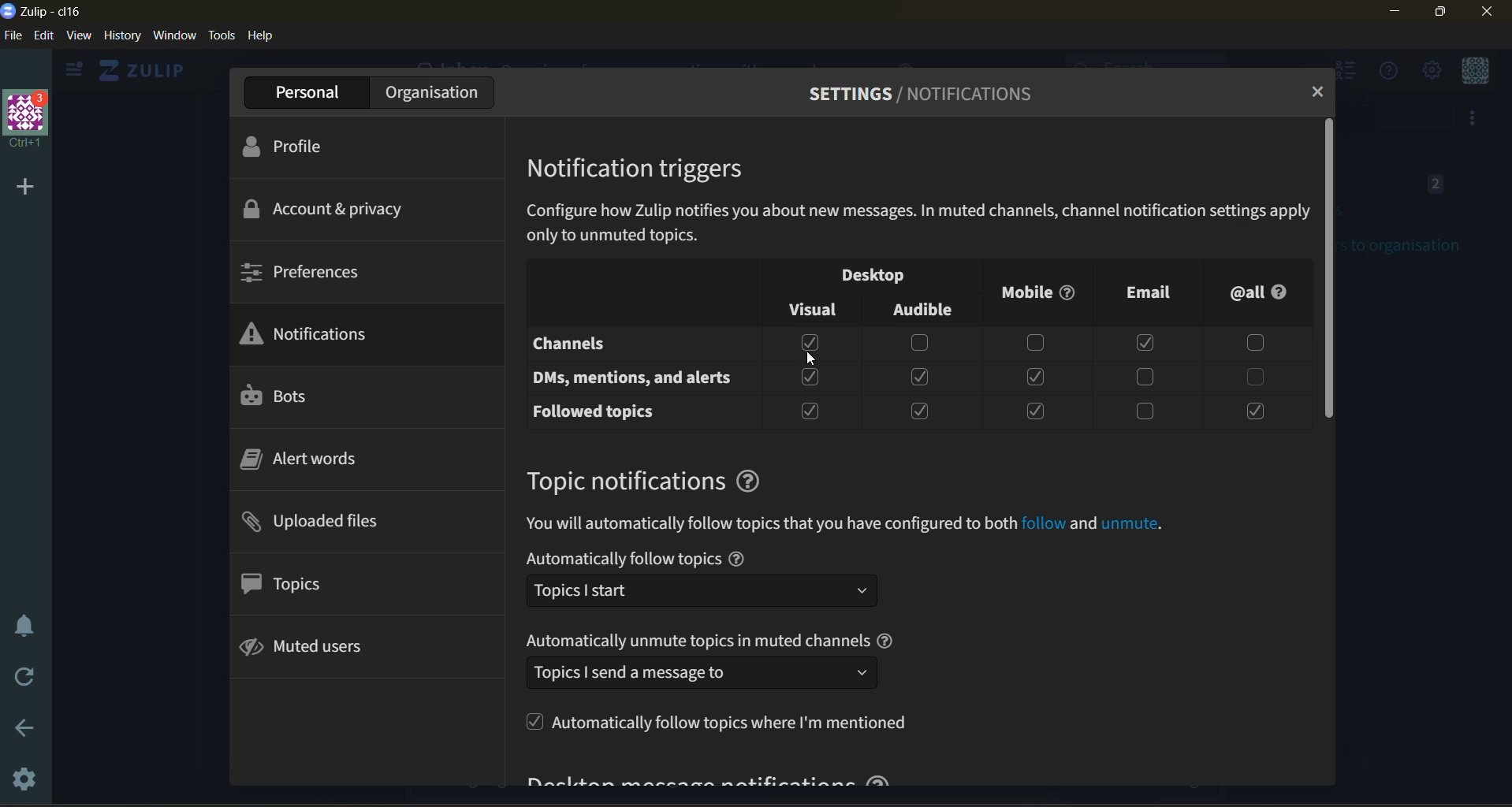 The width and height of the screenshot is (1512, 807). What do you see at coordinates (1253, 412) in the screenshot?
I see `checkbox` at bounding box center [1253, 412].